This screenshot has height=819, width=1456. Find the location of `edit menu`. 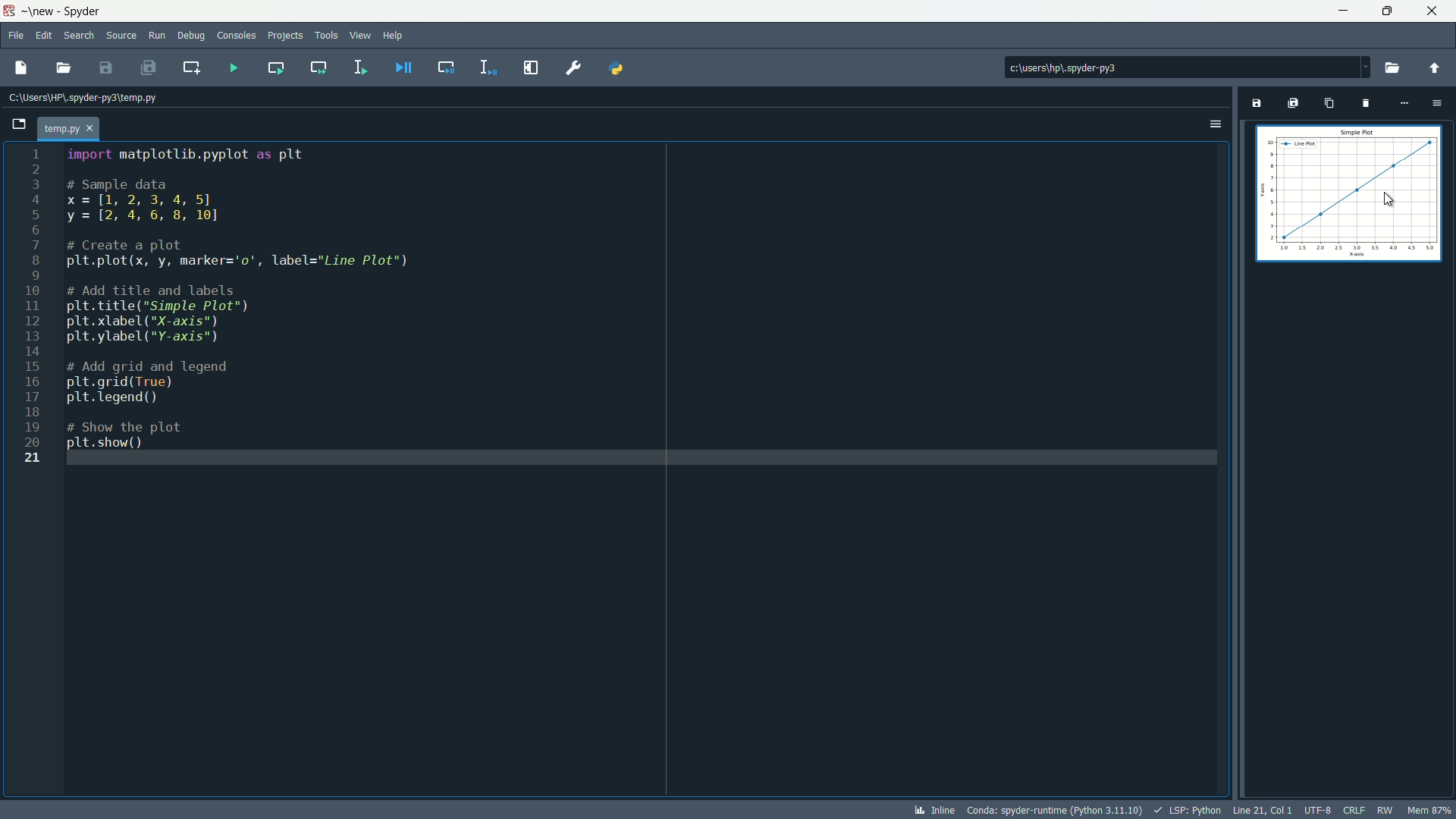

edit menu is located at coordinates (45, 36).